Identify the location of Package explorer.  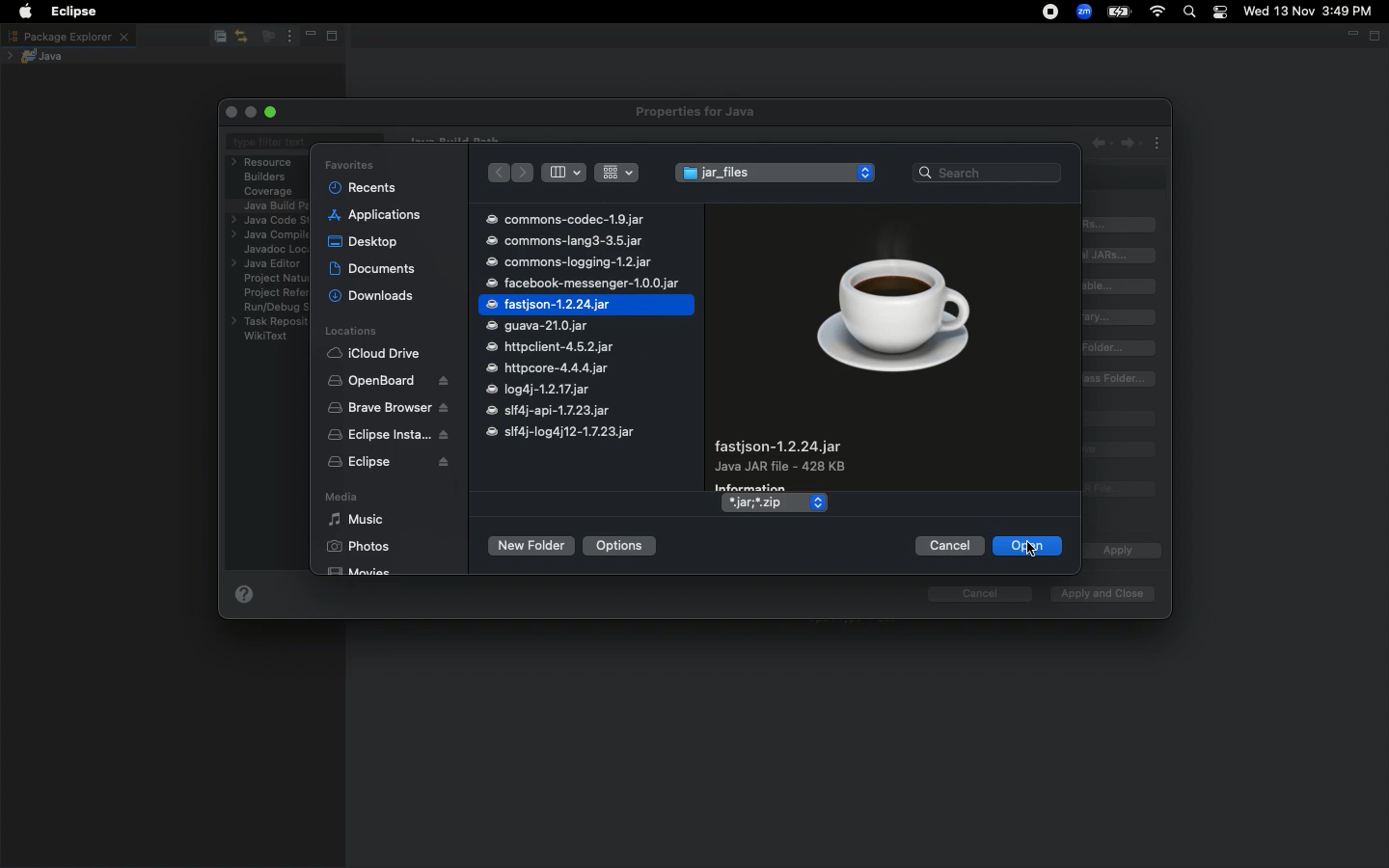
(68, 36).